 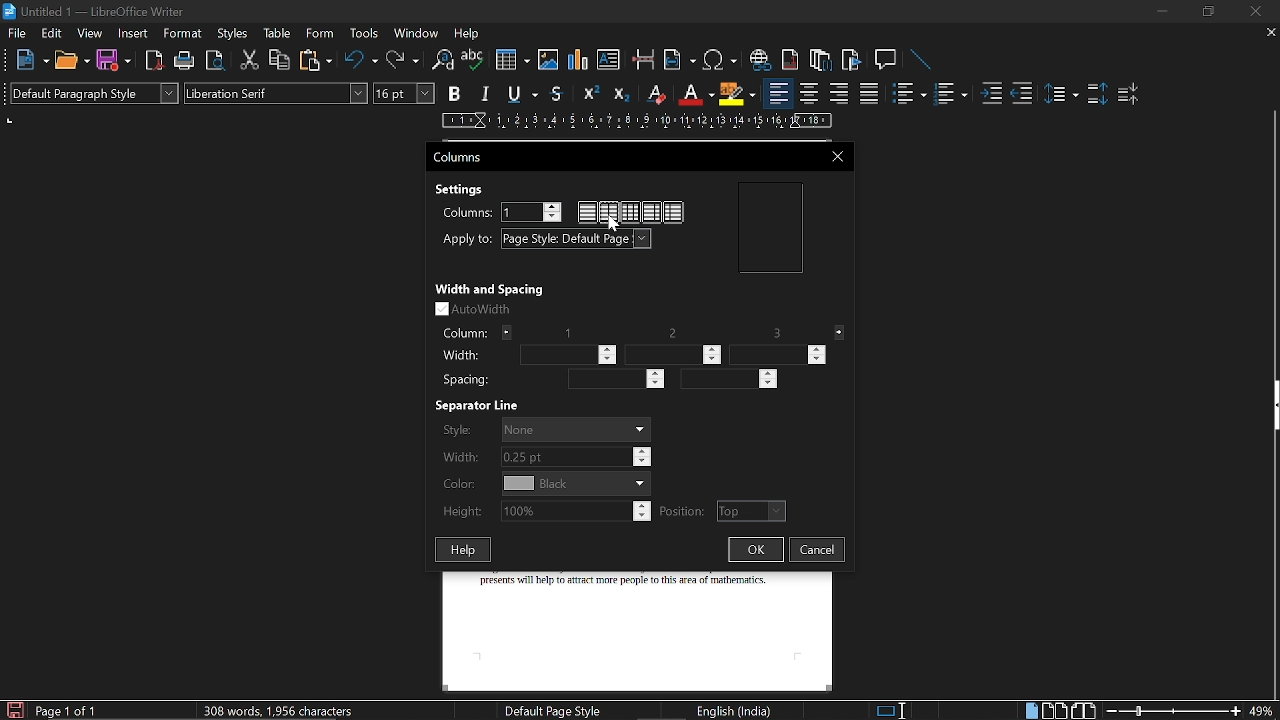 What do you see at coordinates (248, 62) in the screenshot?
I see `Cut ` at bounding box center [248, 62].